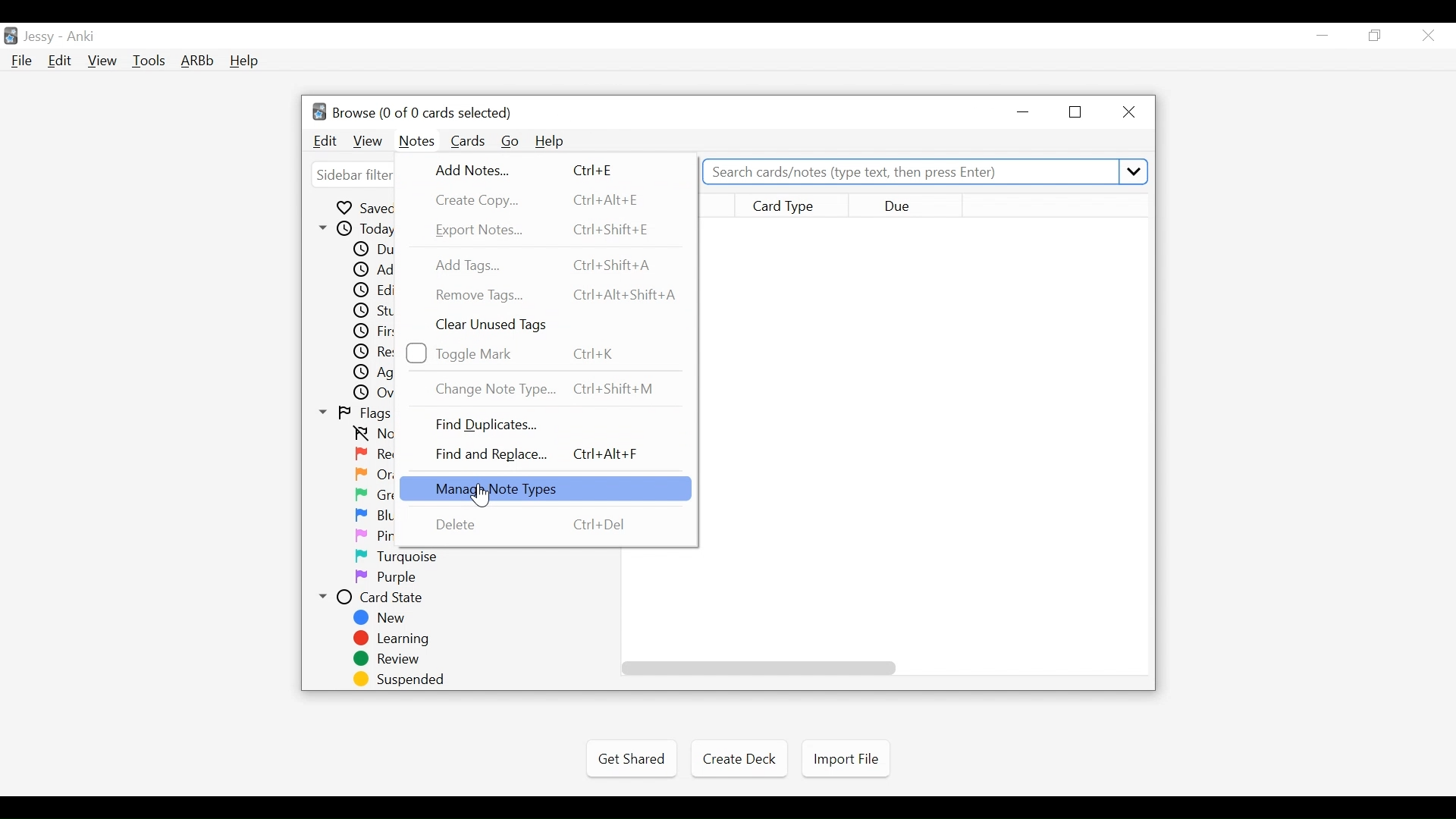  I want to click on Saved Searches, so click(362, 208).